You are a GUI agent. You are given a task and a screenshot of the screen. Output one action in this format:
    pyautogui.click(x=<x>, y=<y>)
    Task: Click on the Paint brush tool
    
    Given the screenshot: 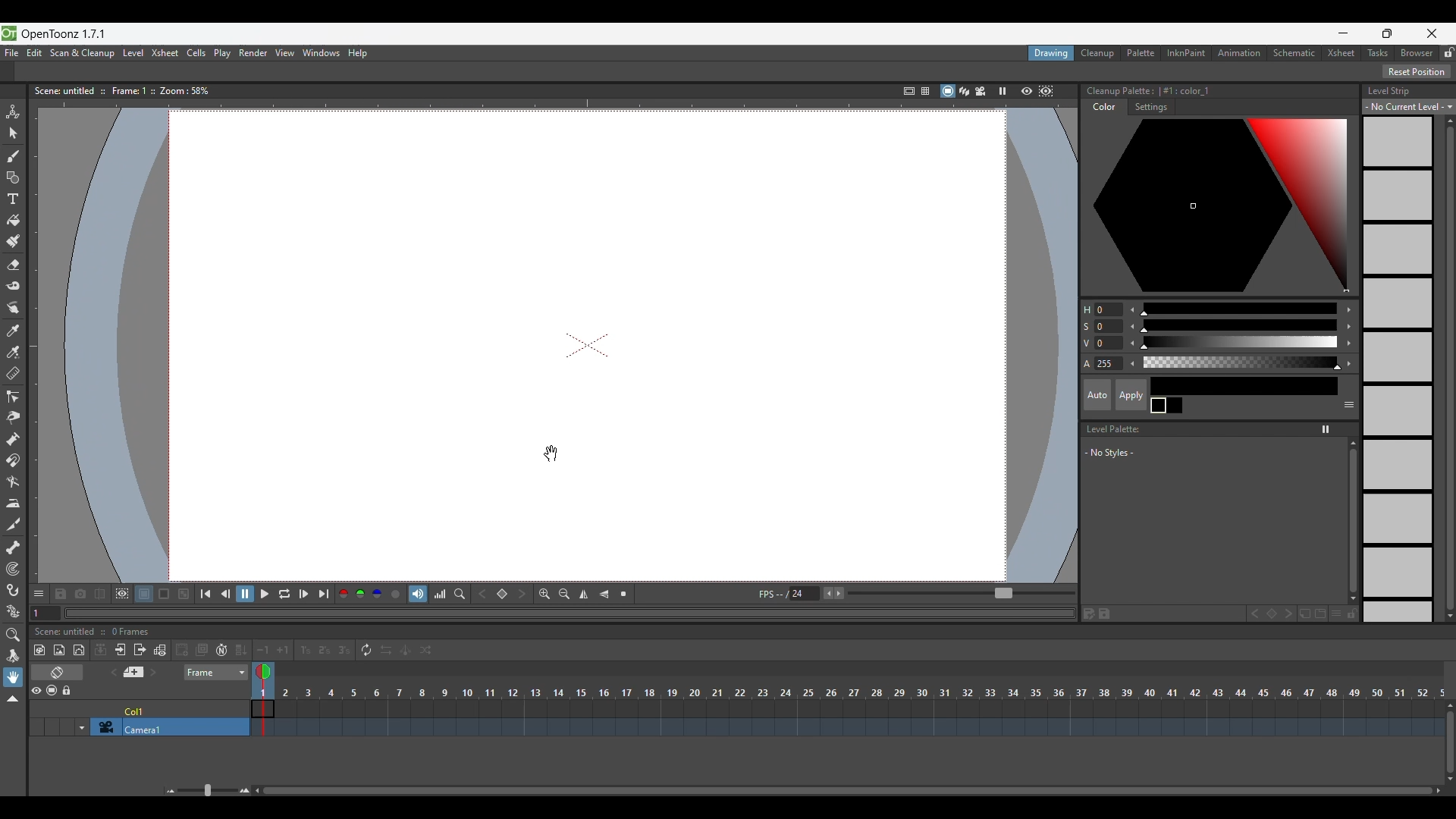 What is the action you would take?
    pyautogui.click(x=13, y=241)
    